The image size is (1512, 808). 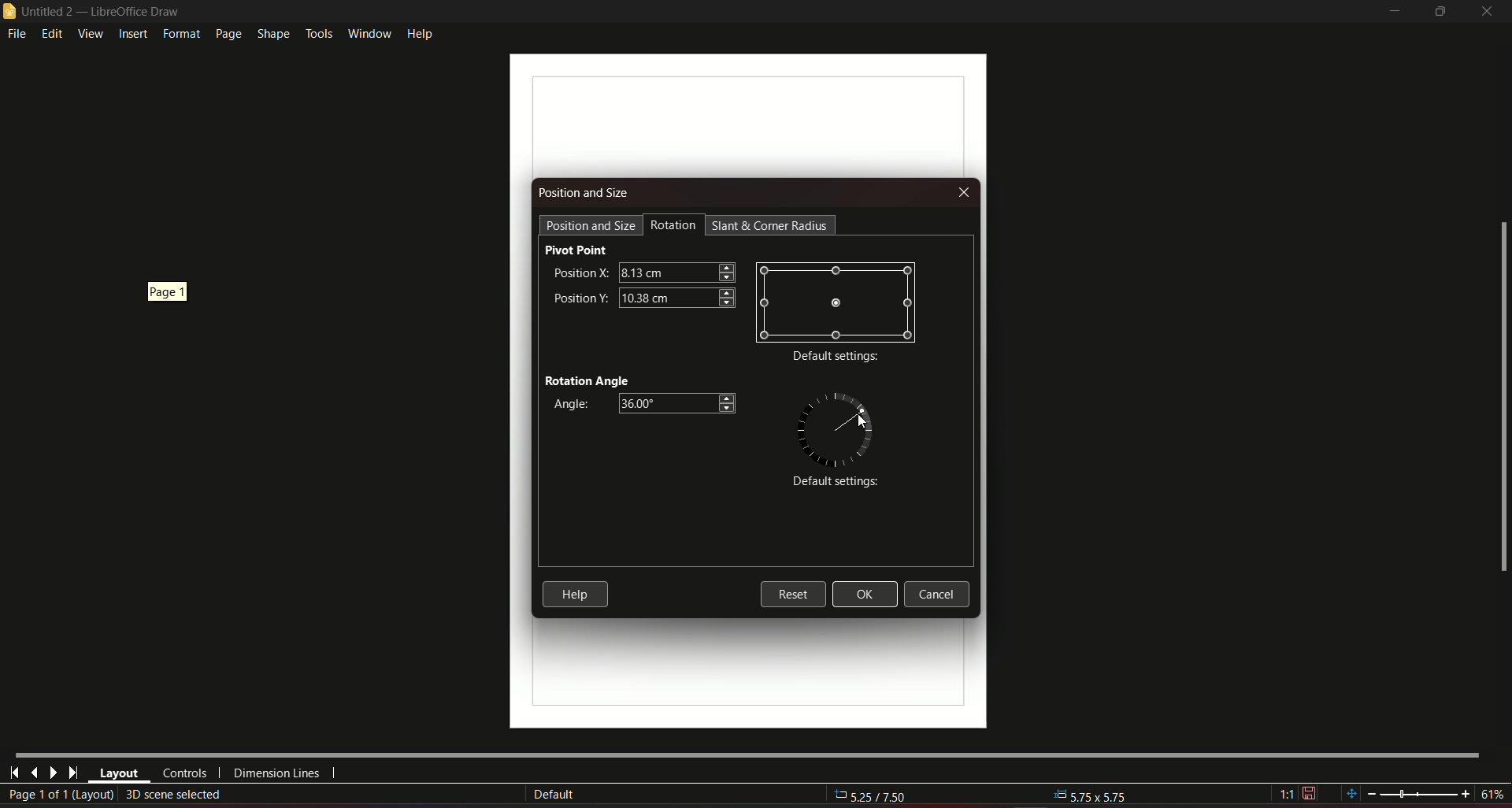 I want to click on Horizontal scroll bar, so click(x=746, y=753).